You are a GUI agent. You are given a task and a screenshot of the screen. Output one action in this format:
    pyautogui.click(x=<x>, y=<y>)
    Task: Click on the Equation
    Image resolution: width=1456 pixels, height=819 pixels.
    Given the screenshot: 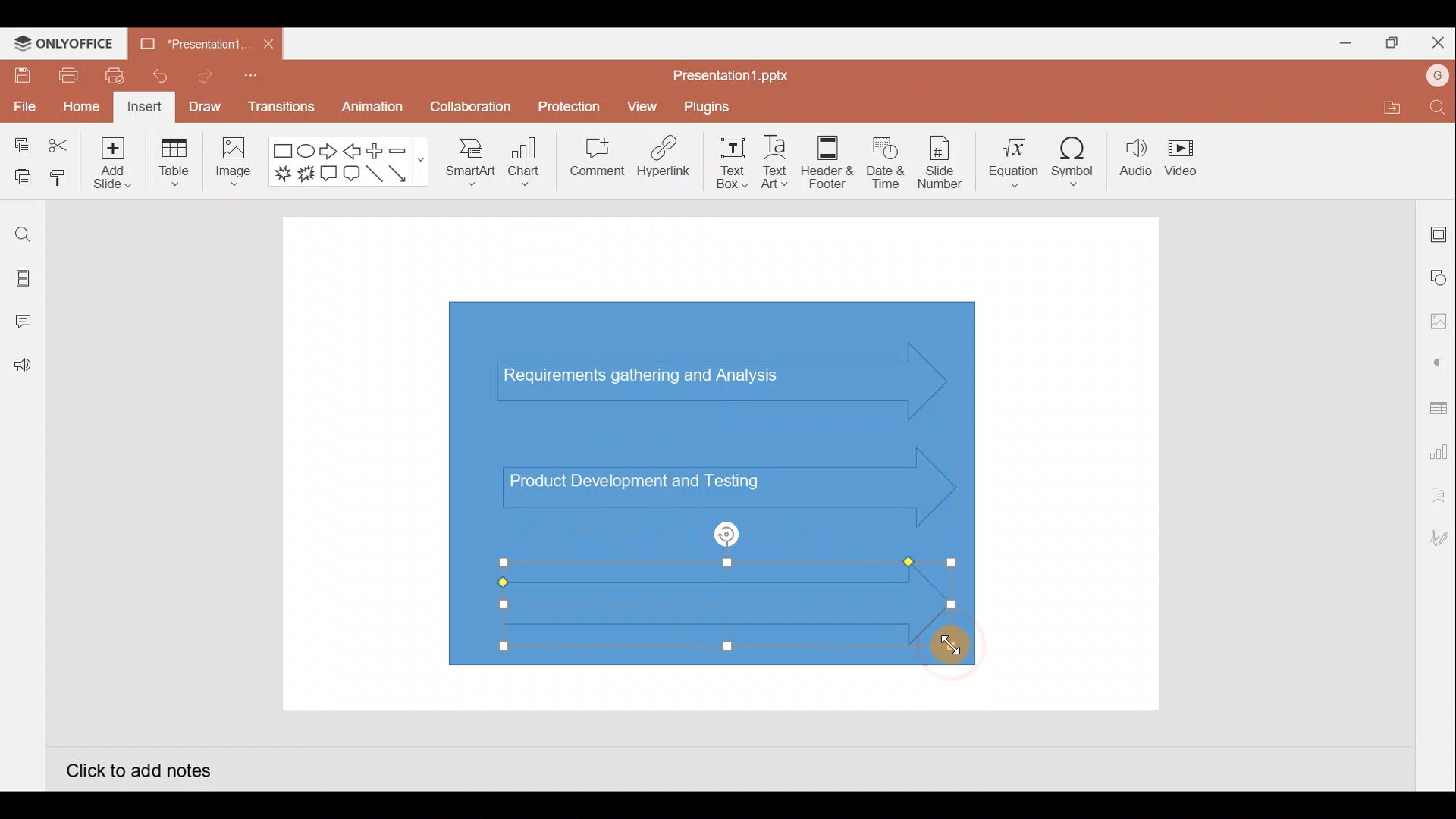 What is the action you would take?
    pyautogui.click(x=1015, y=157)
    